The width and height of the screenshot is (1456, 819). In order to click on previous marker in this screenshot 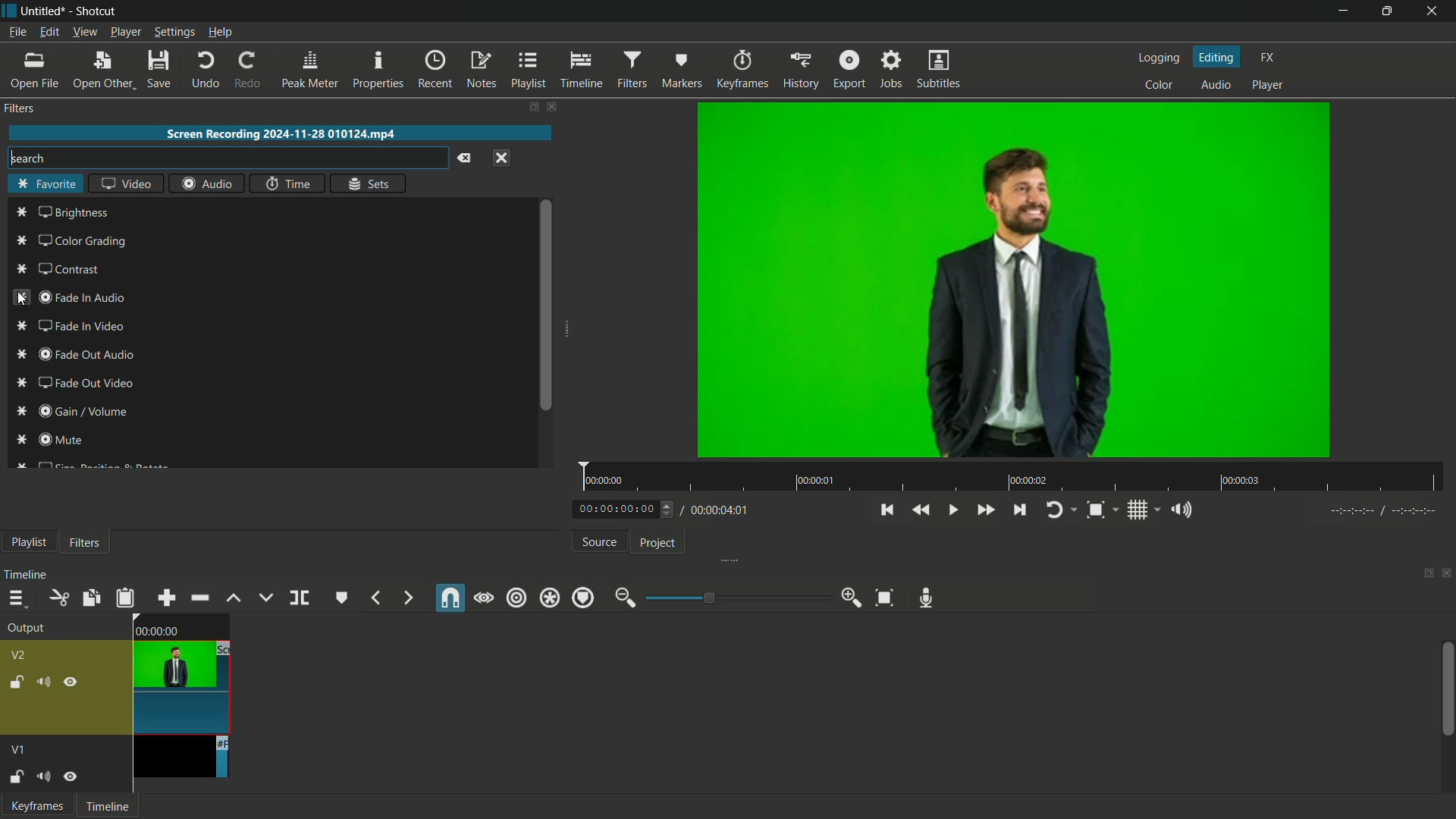, I will do `click(375, 598)`.